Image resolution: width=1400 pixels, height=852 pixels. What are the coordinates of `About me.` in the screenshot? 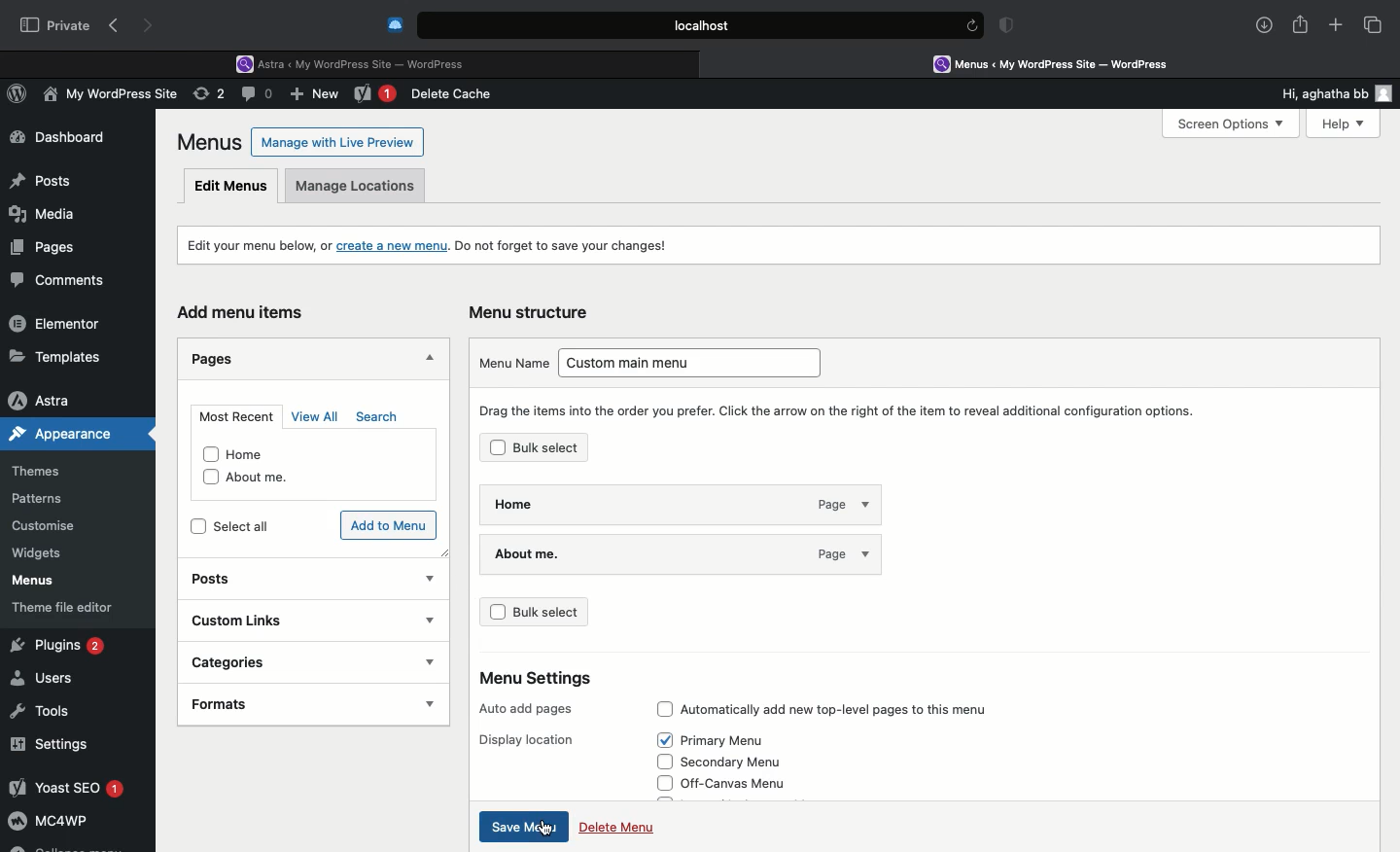 It's located at (627, 553).